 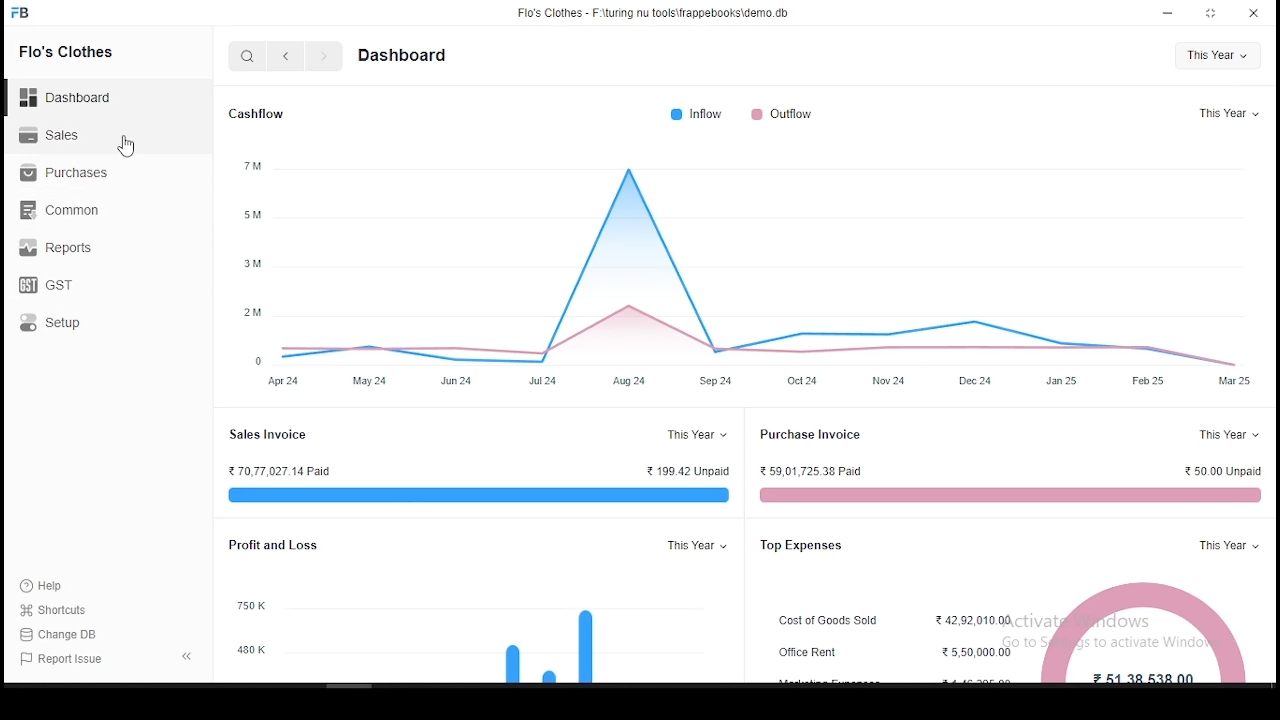 I want to click on 0, so click(x=251, y=356).